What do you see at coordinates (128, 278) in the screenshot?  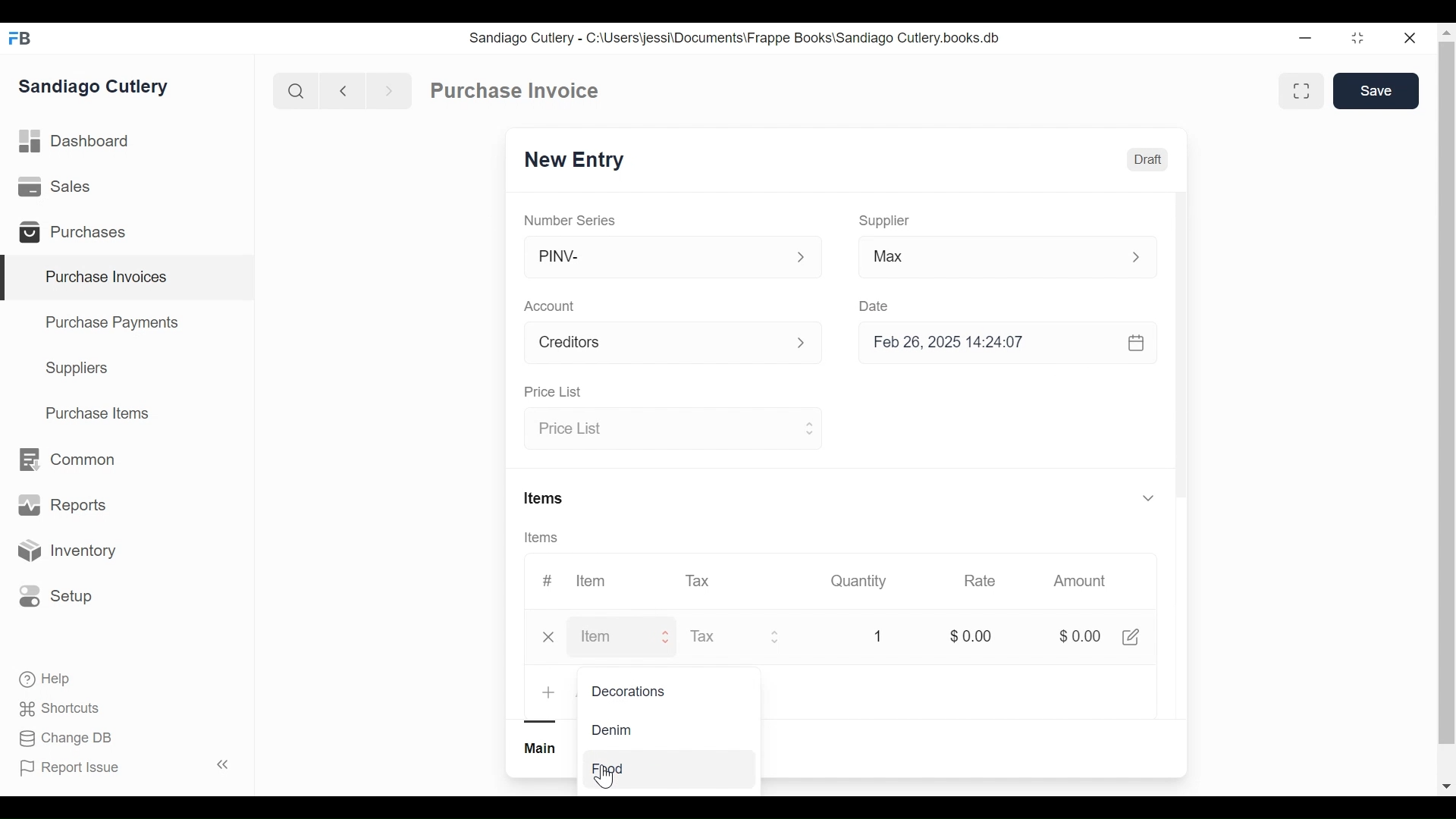 I see `Purchase Invoices` at bounding box center [128, 278].